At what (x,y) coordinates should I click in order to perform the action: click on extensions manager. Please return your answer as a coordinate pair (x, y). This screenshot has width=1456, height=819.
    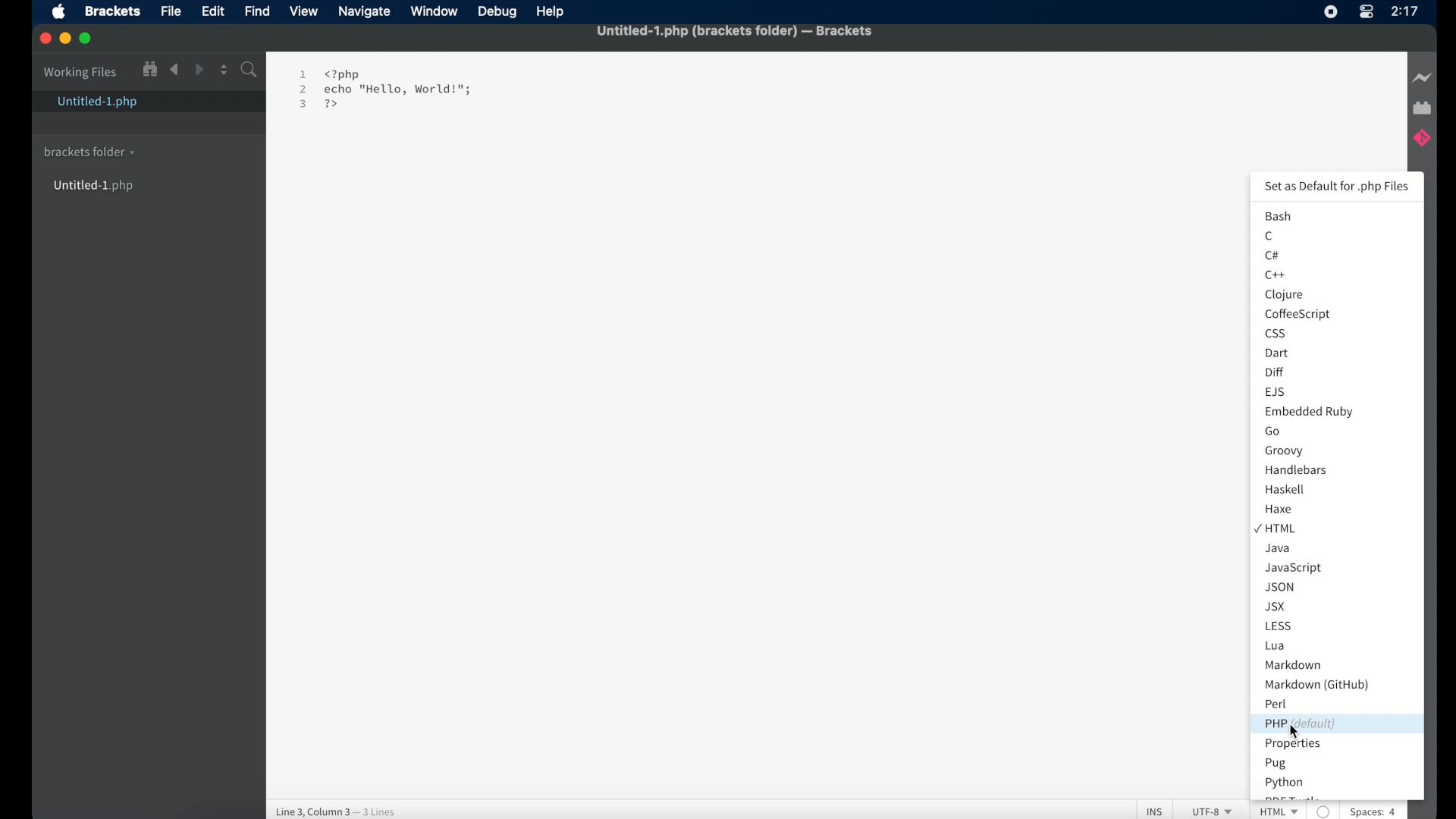
    Looking at the image, I should click on (1422, 107).